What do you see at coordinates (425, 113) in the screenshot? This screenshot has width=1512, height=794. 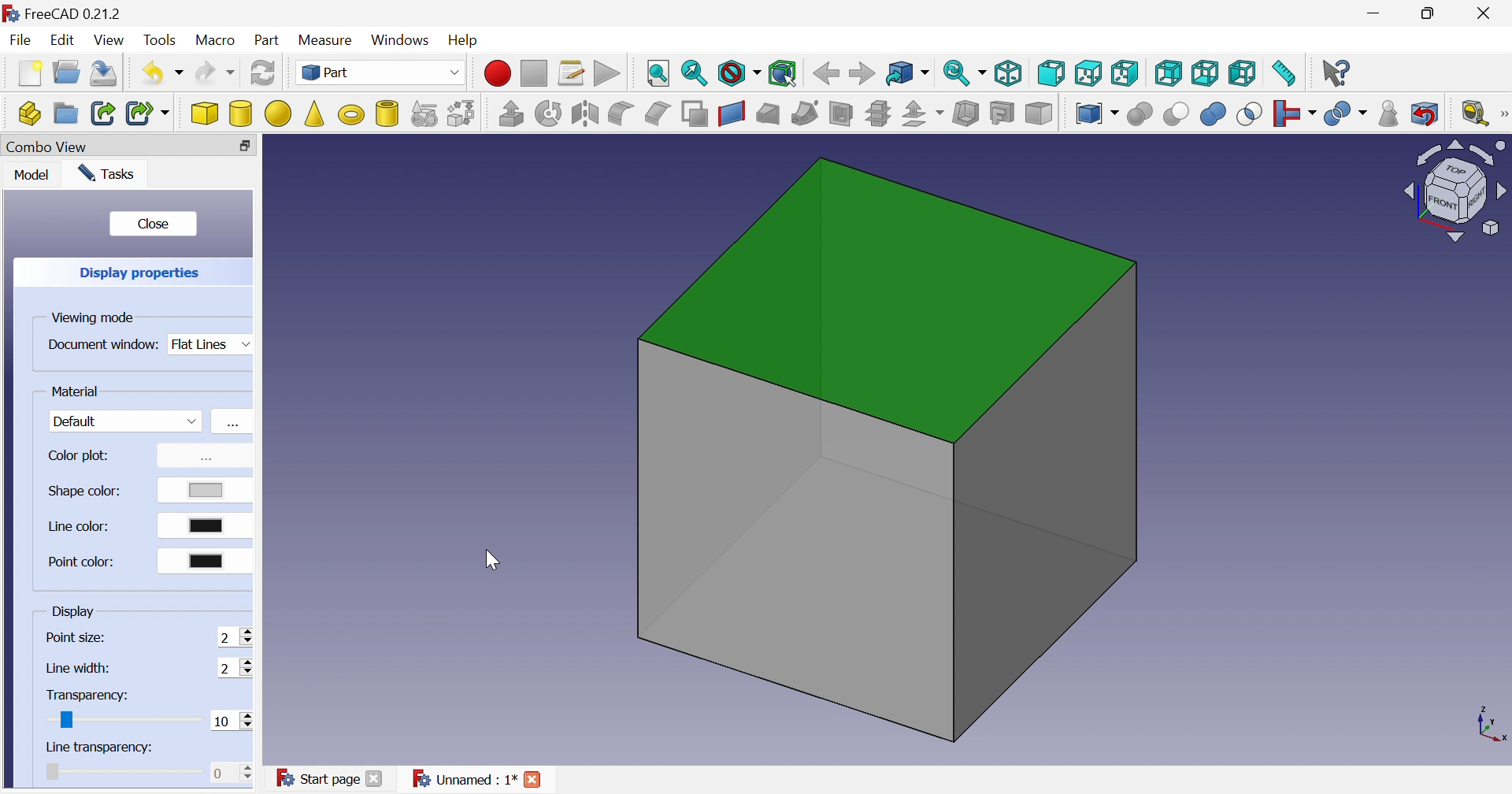 I see `Create primitives` at bounding box center [425, 113].